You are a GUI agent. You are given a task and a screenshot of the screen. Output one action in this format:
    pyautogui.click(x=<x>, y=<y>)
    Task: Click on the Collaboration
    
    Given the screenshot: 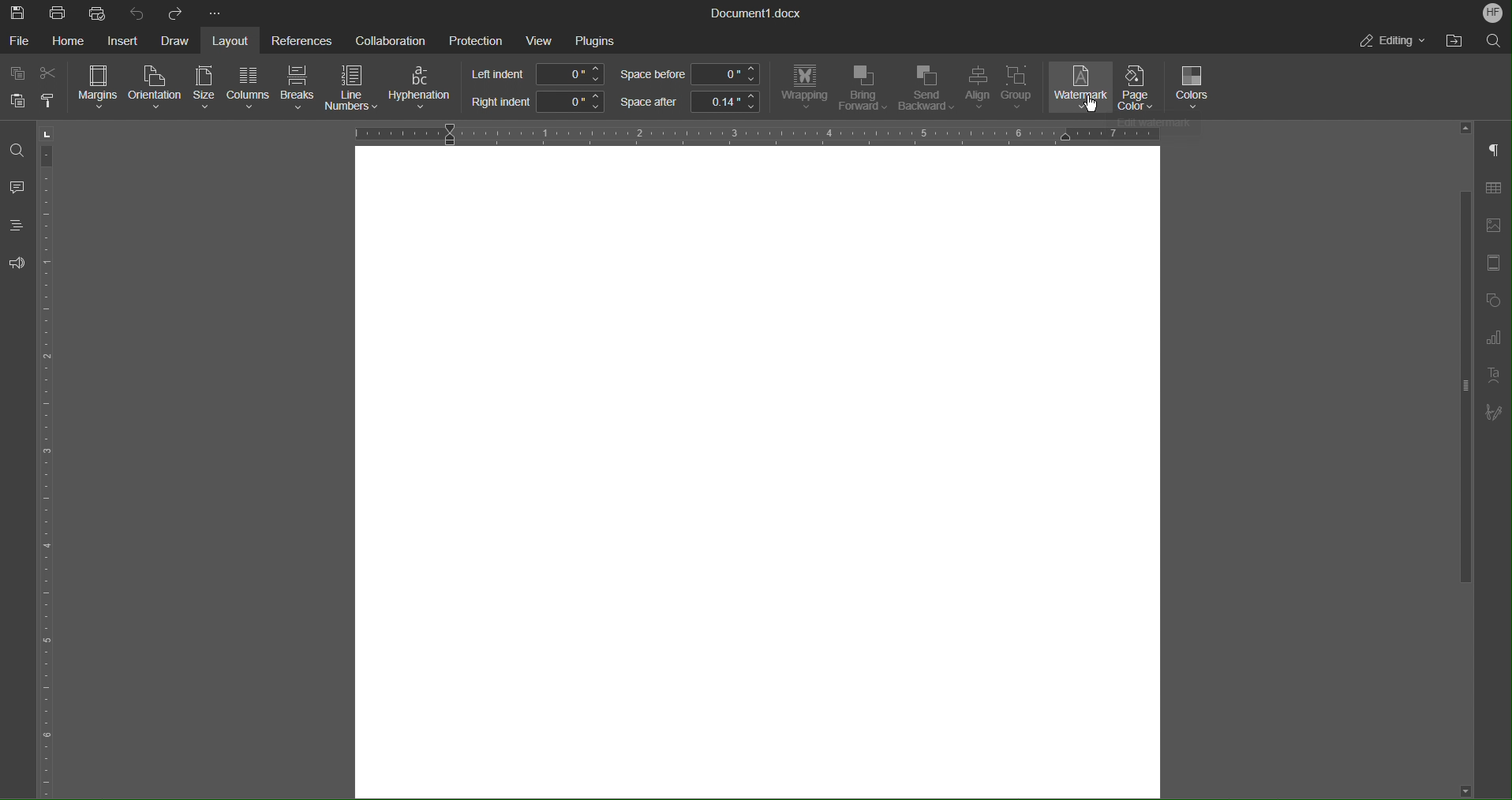 What is the action you would take?
    pyautogui.click(x=386, y=39)
    